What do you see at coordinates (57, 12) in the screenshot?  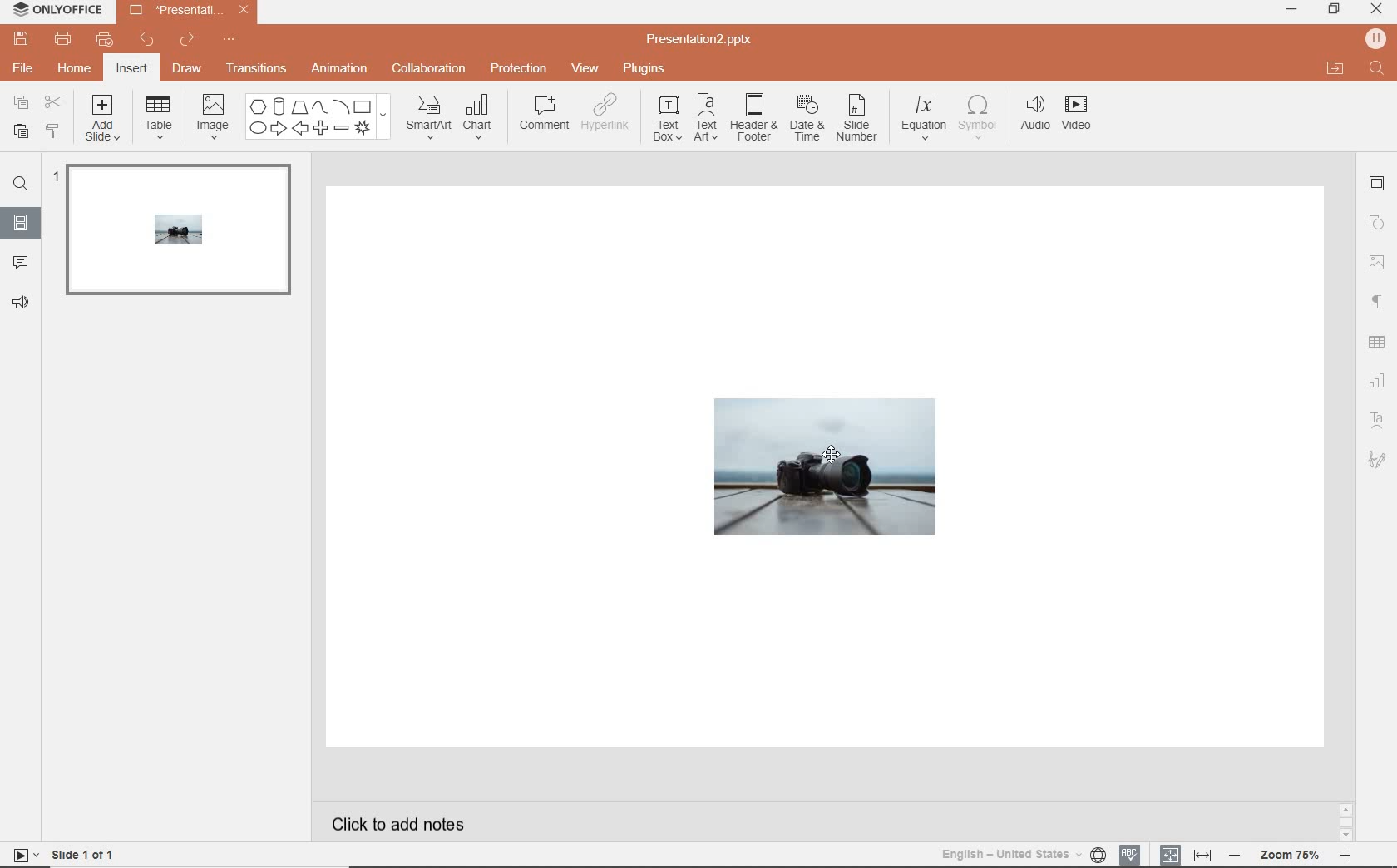 I see `ONLYOFFICE` at bounding box center [57, 12].